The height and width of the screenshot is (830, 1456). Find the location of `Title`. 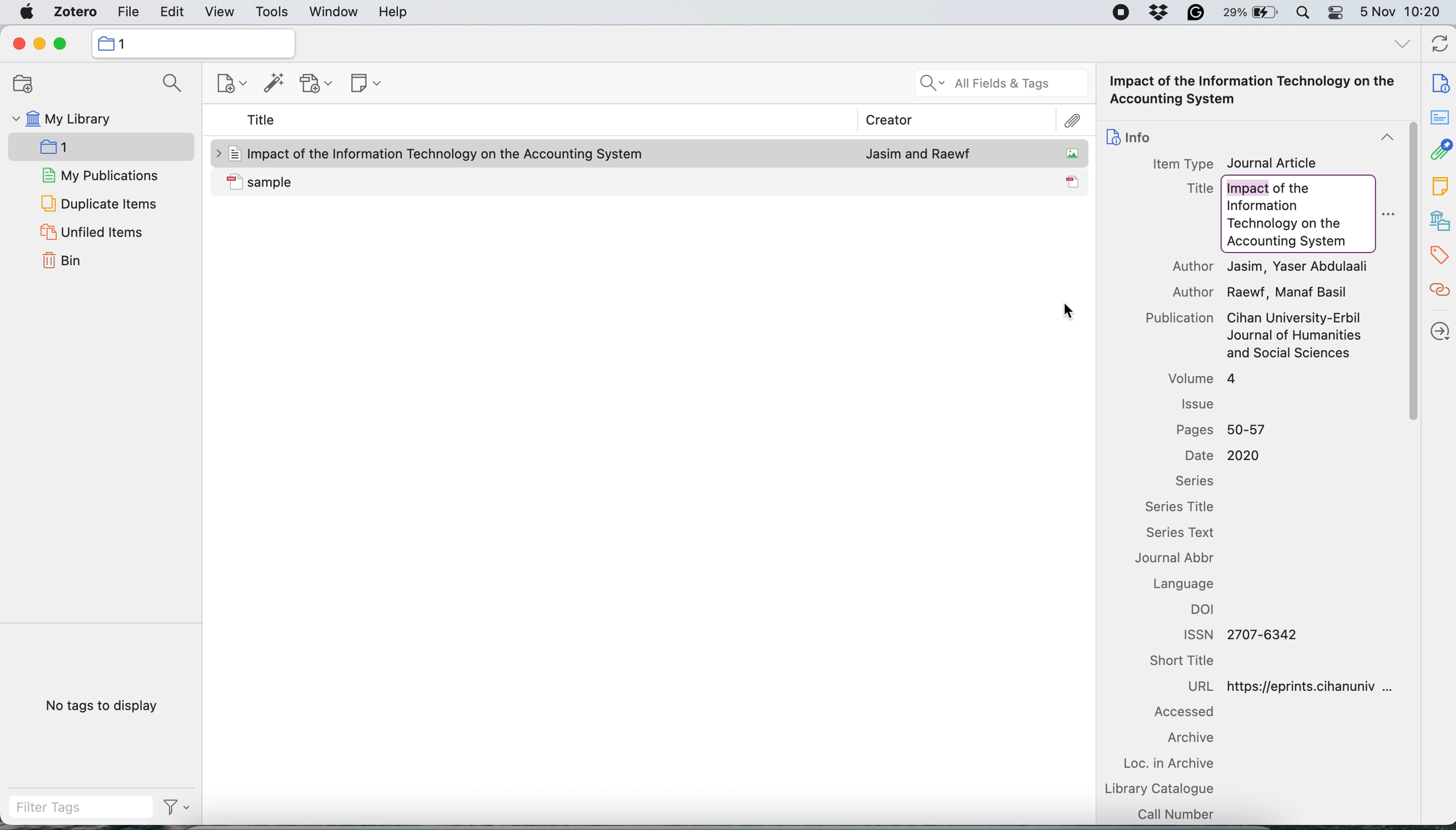

Title is located at coordinates (1201, 189).